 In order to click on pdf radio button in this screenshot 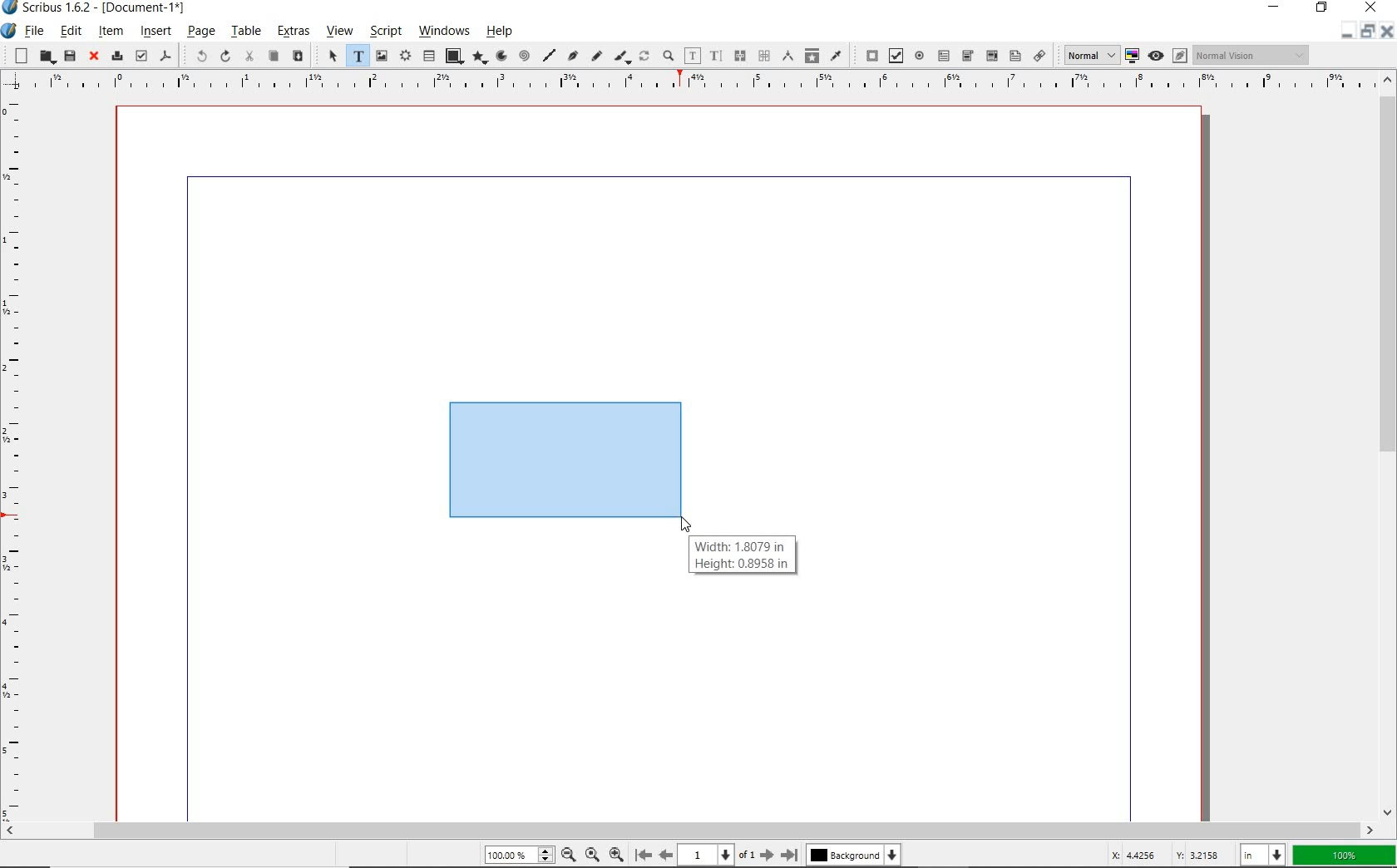, I will do `click(920, 56)`.